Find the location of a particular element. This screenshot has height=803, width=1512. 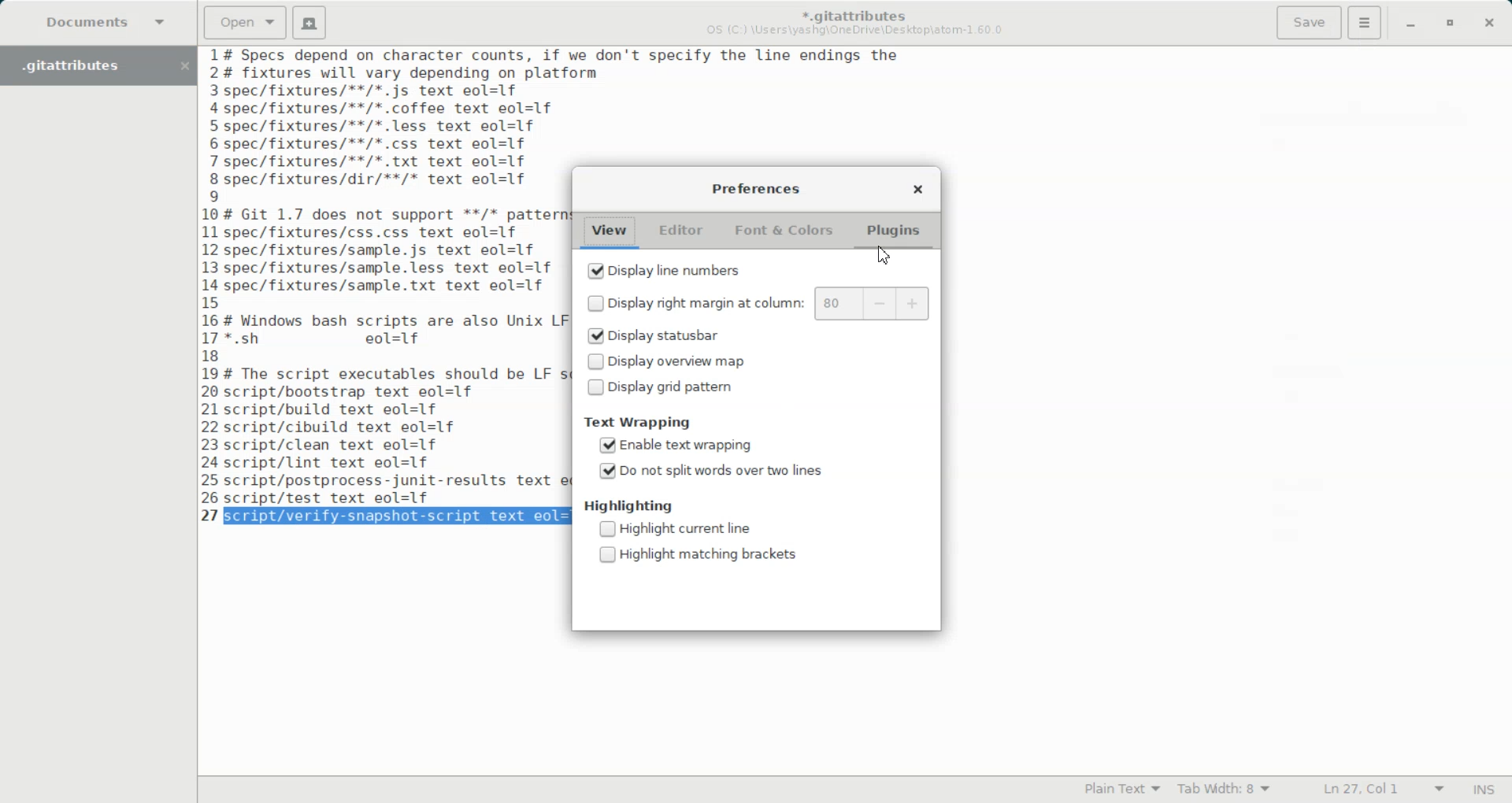

Enable text wrapping is located at coordinates (675, 446).